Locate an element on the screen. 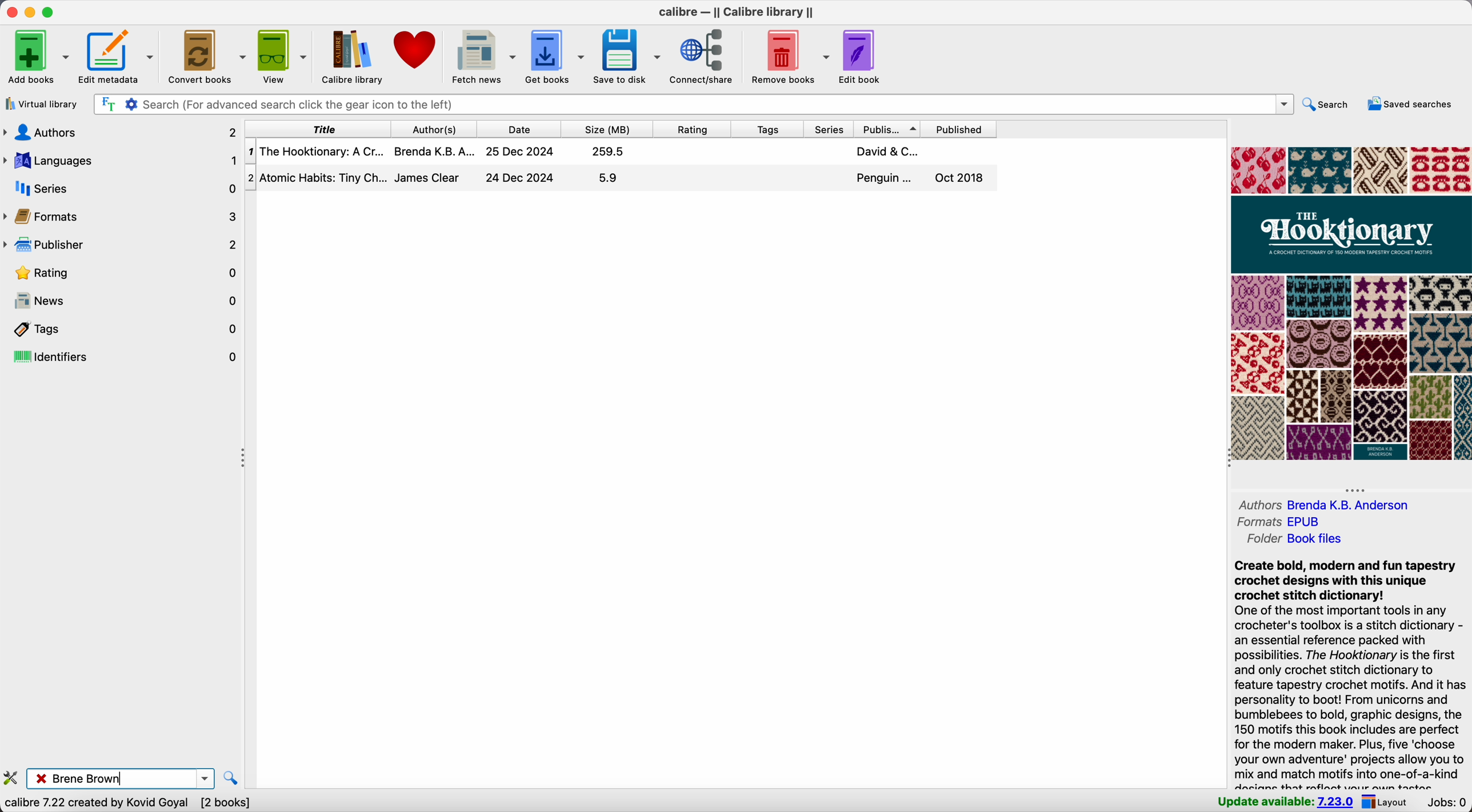 This screenshot has height=812, width=1472. search is located at coordinates (1327, 105).